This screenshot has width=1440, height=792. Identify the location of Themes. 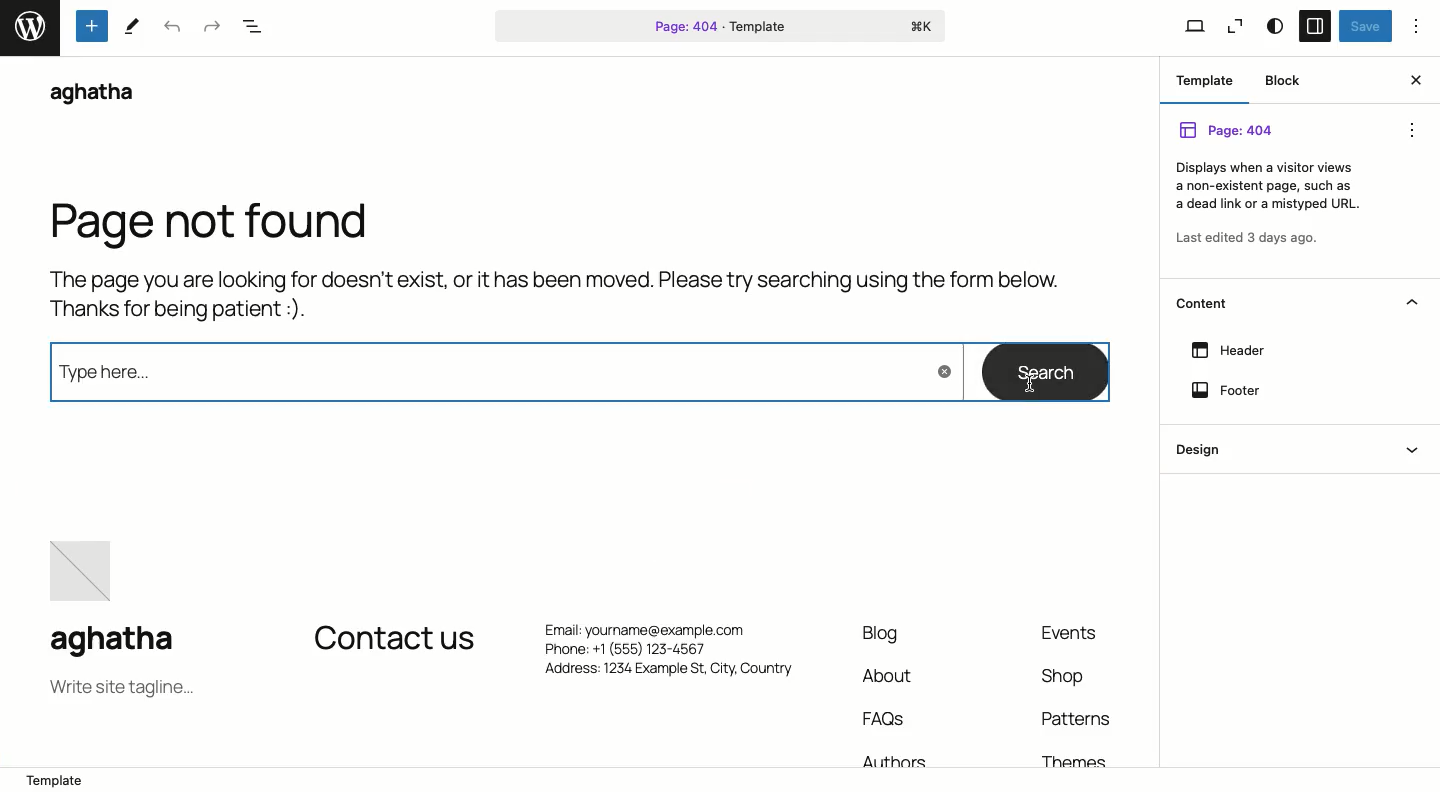
(1080, 758).